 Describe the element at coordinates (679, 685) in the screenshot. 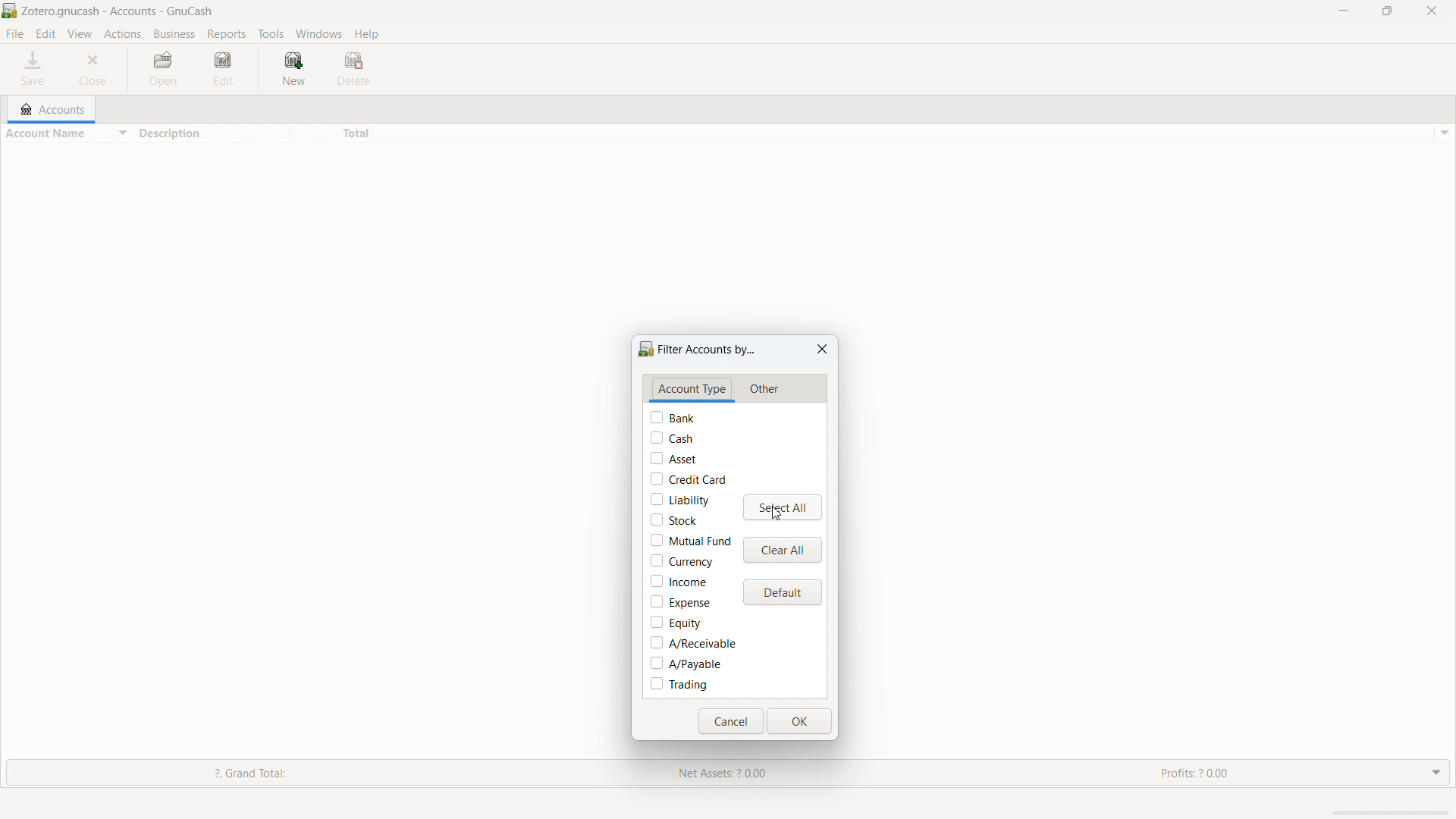

I see `trading` at that location.